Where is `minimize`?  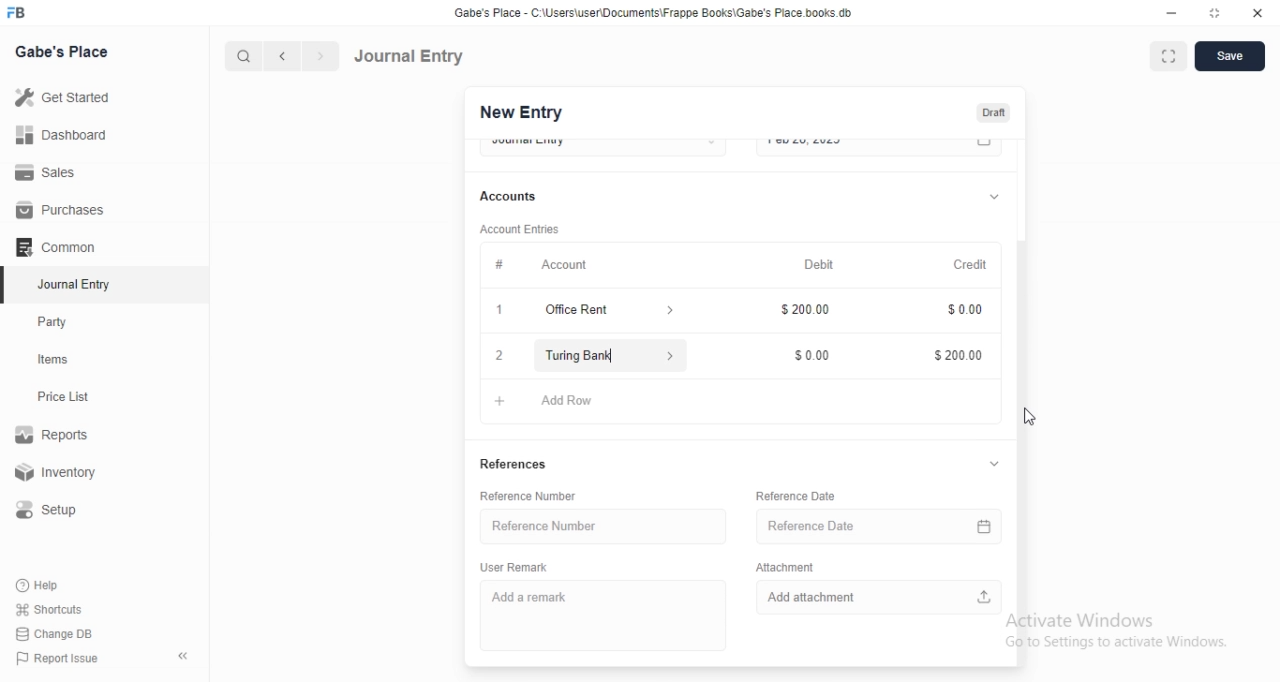
minimize is located at coordinates (1170, 12).